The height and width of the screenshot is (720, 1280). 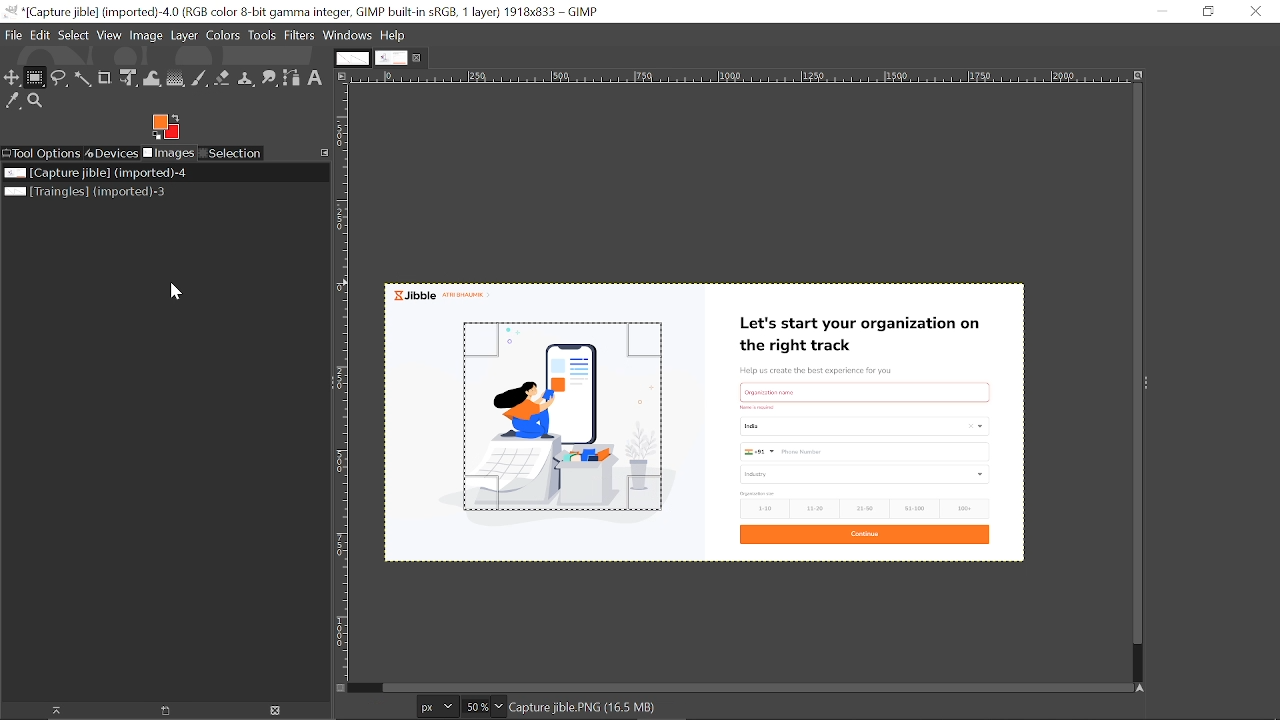 I want to click on Clone tool, so click(x=244, y=78).